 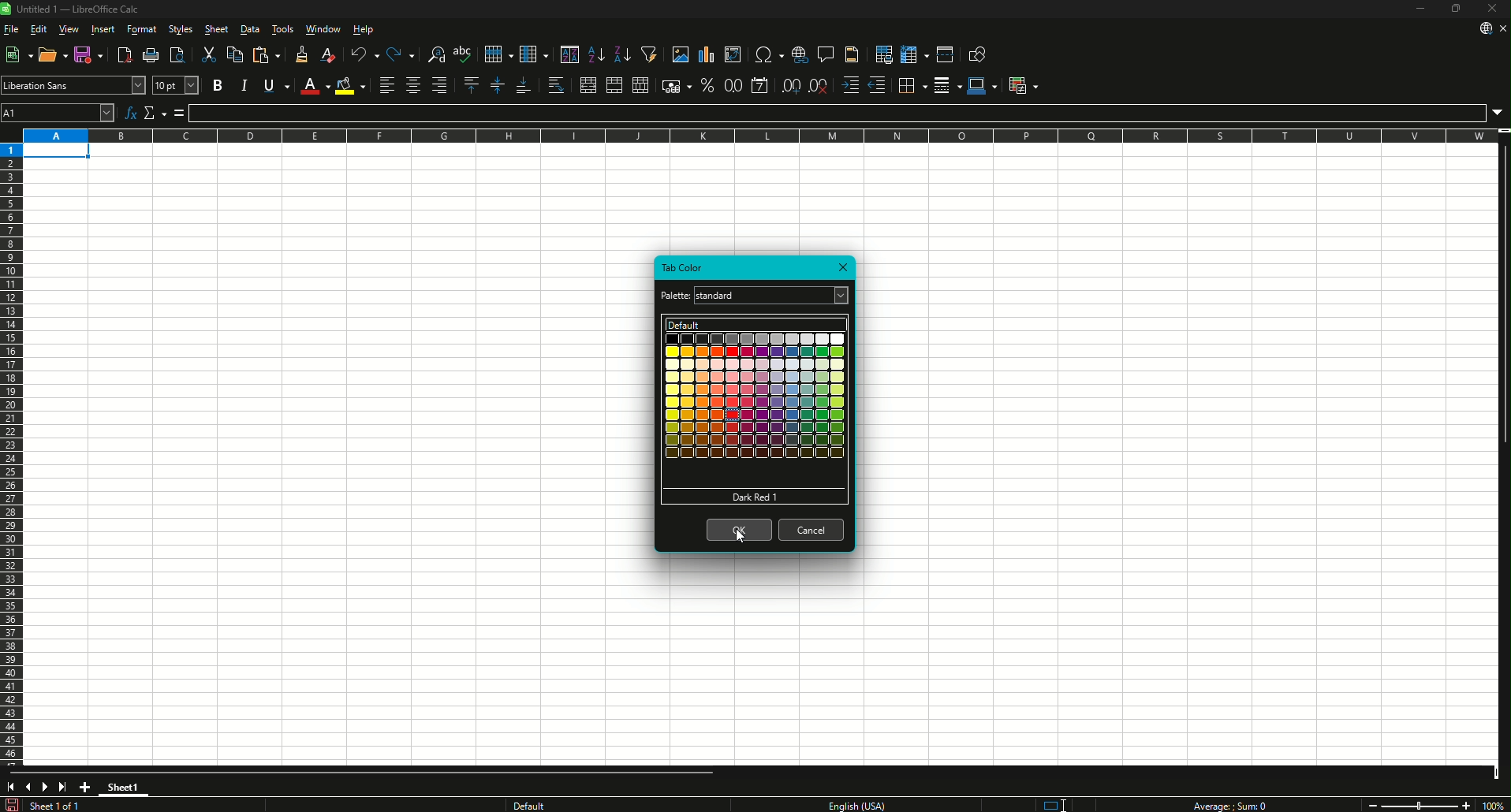 What do you see at coordinates (842, 295) in the screenshot?
I see `Palette options` at bounding box center [842, 295].